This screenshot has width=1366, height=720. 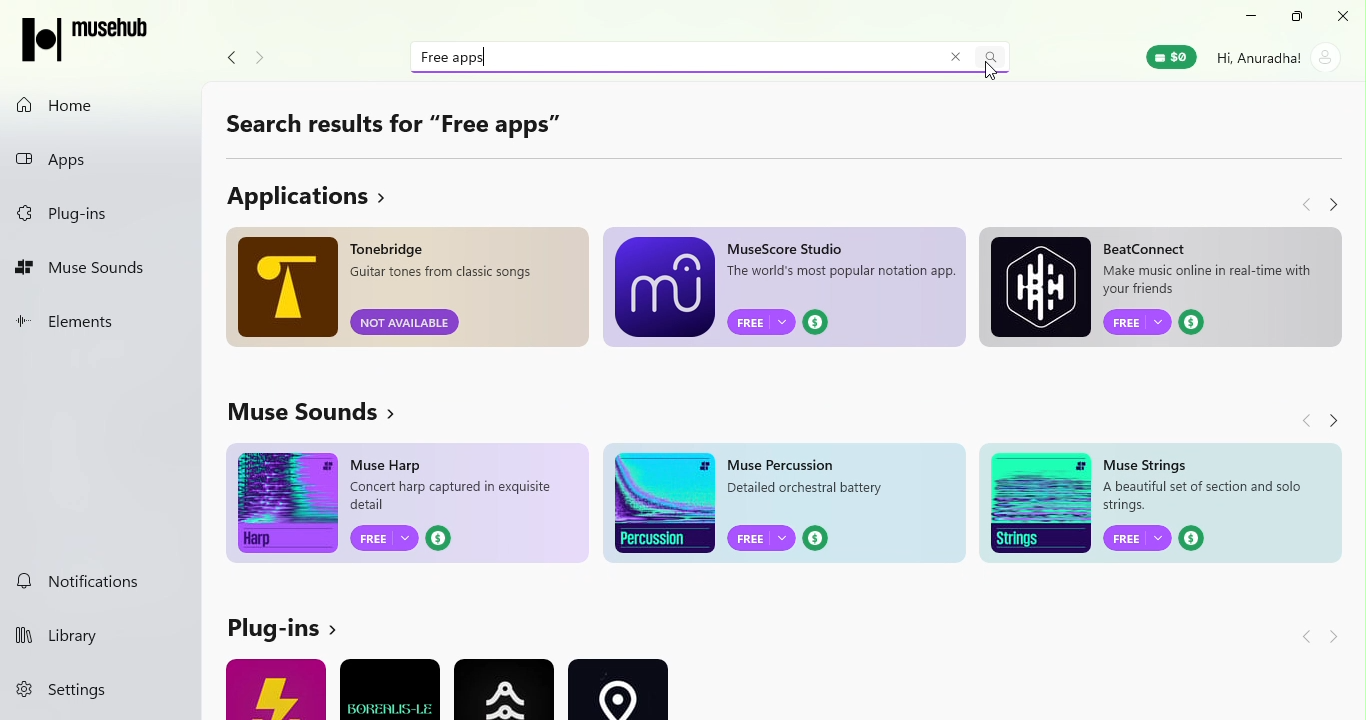 I want to click on Ad, so click(x=623, y=688).